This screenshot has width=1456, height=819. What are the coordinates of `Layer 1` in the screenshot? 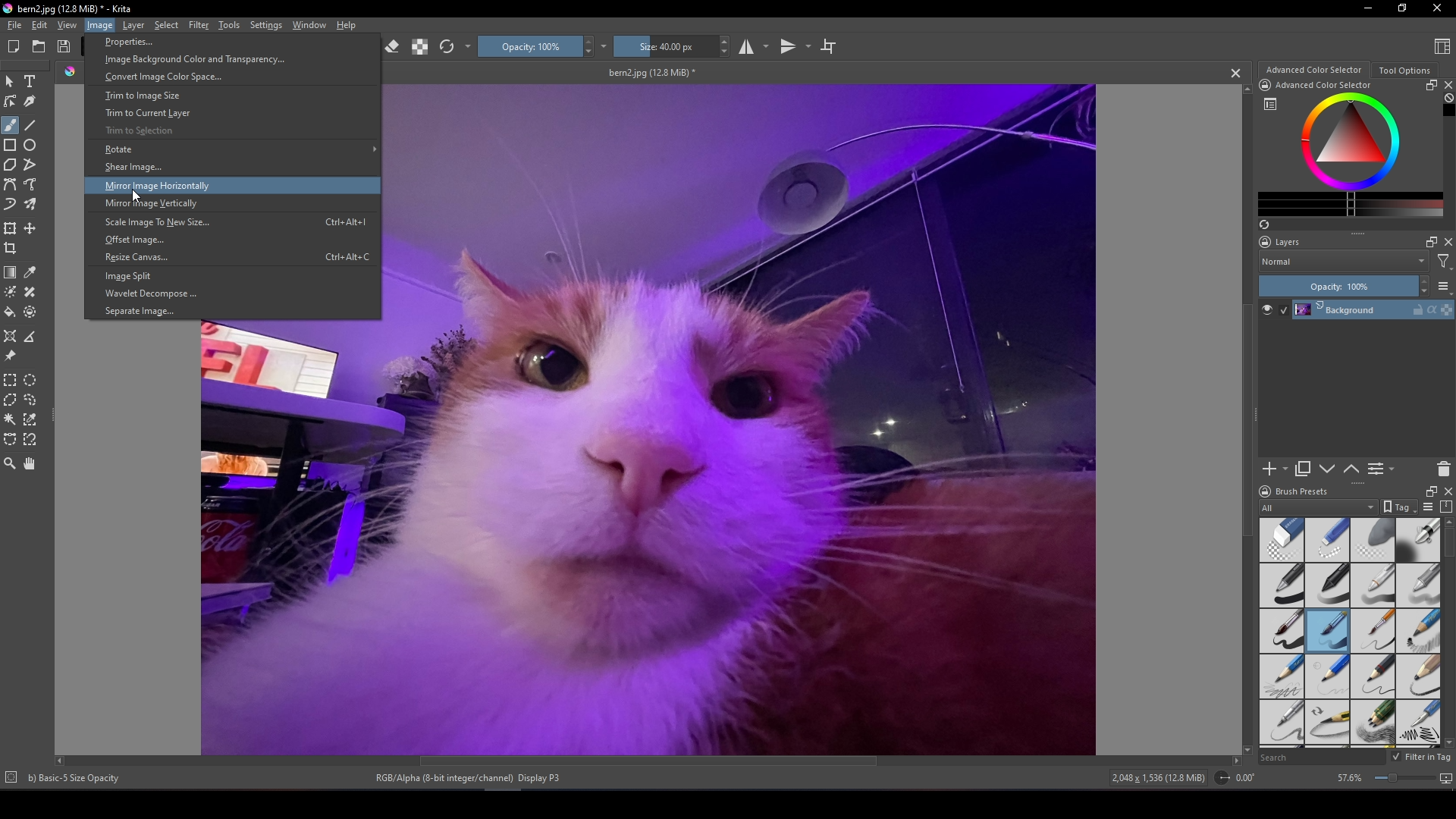 It's located at (1374, 309).